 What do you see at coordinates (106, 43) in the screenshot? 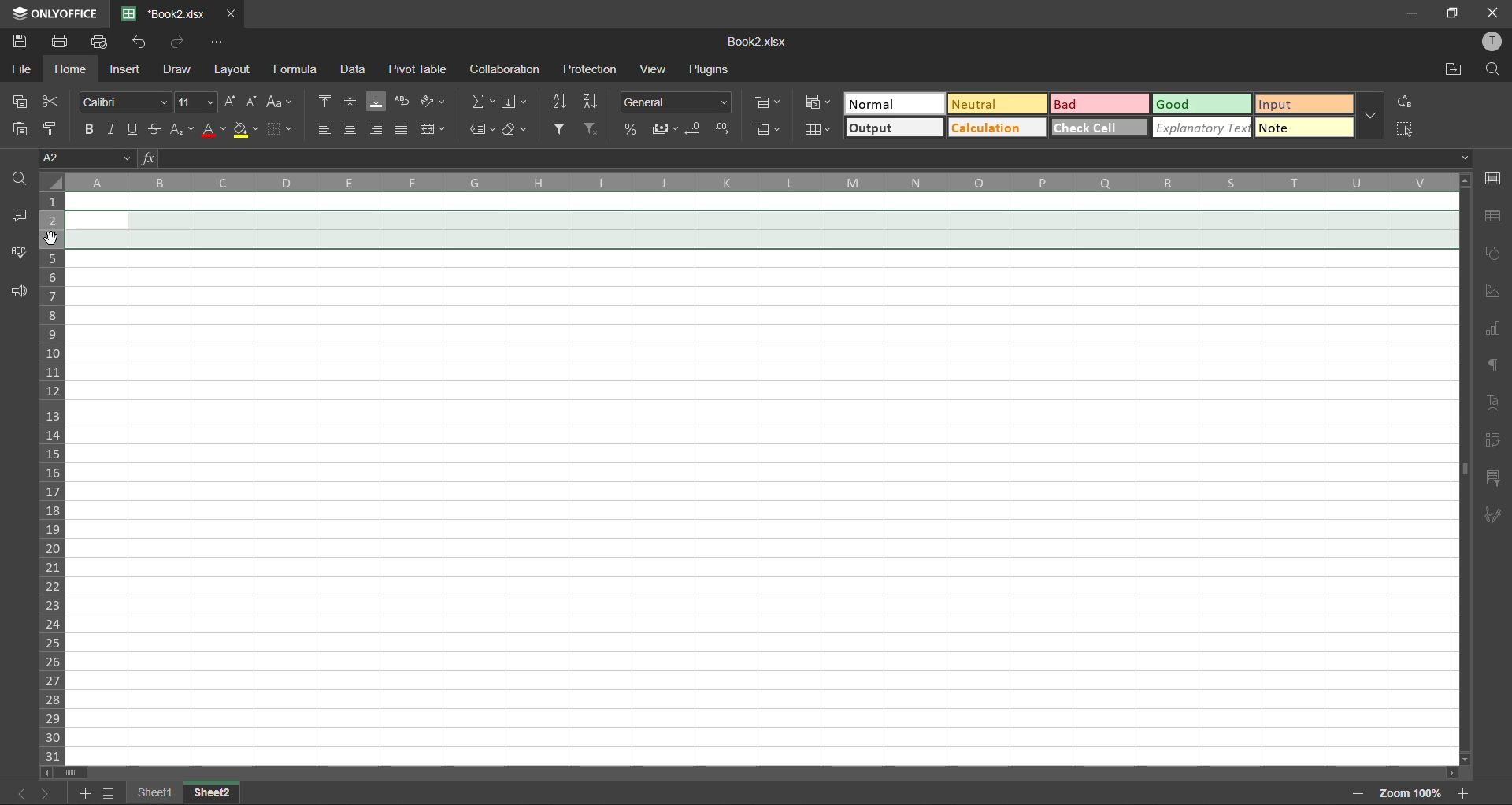
I see `quick print` at bounding box center [106, 43].